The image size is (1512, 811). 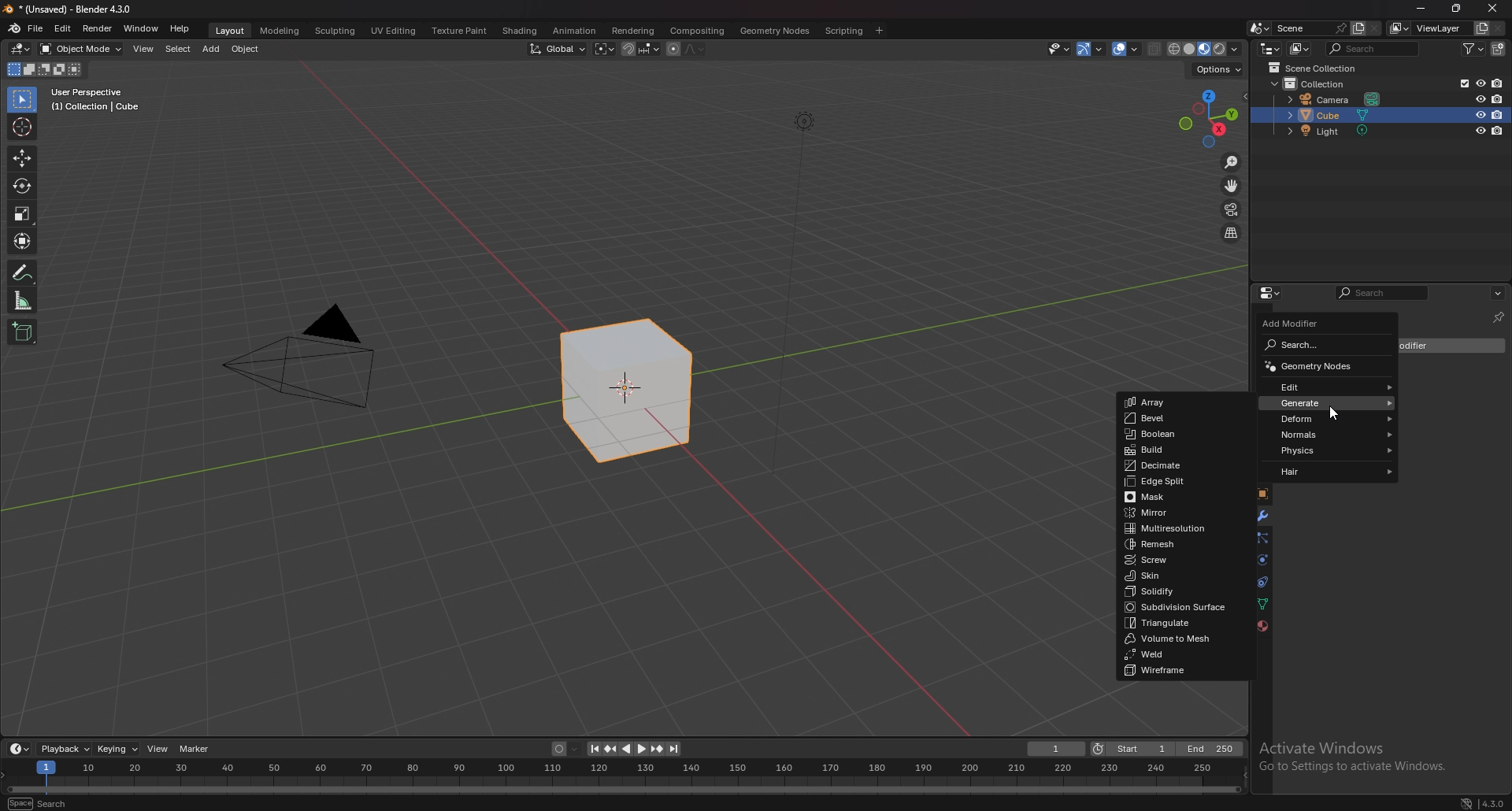 What do you see at coordinates (1184, 465) in the screenshot?
I see `decimate` at bounding box center [1184, 465].